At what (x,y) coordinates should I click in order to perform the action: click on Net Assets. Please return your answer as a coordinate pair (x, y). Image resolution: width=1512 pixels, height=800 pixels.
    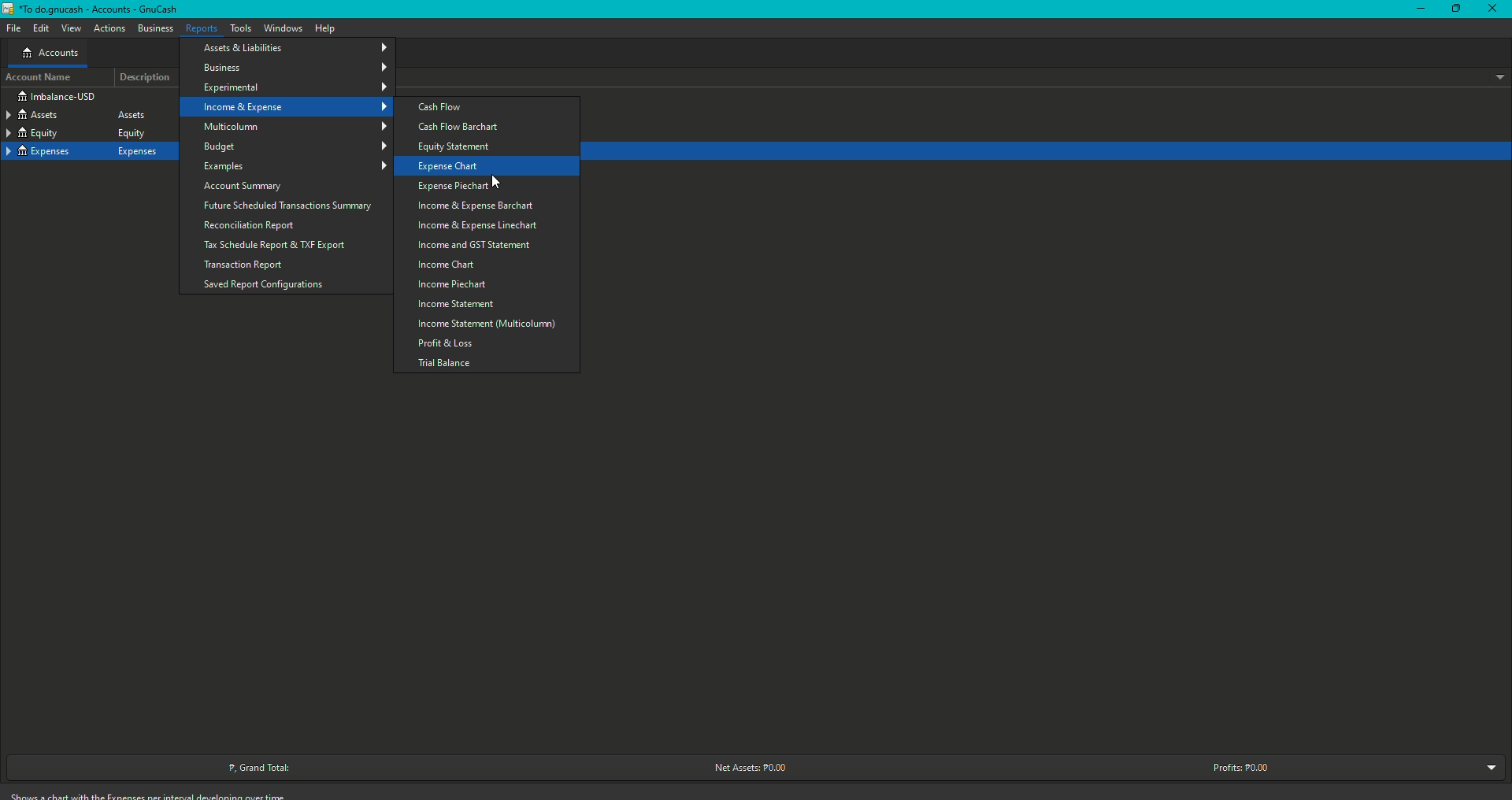
    Looking at the image, I should click on (758, 766).